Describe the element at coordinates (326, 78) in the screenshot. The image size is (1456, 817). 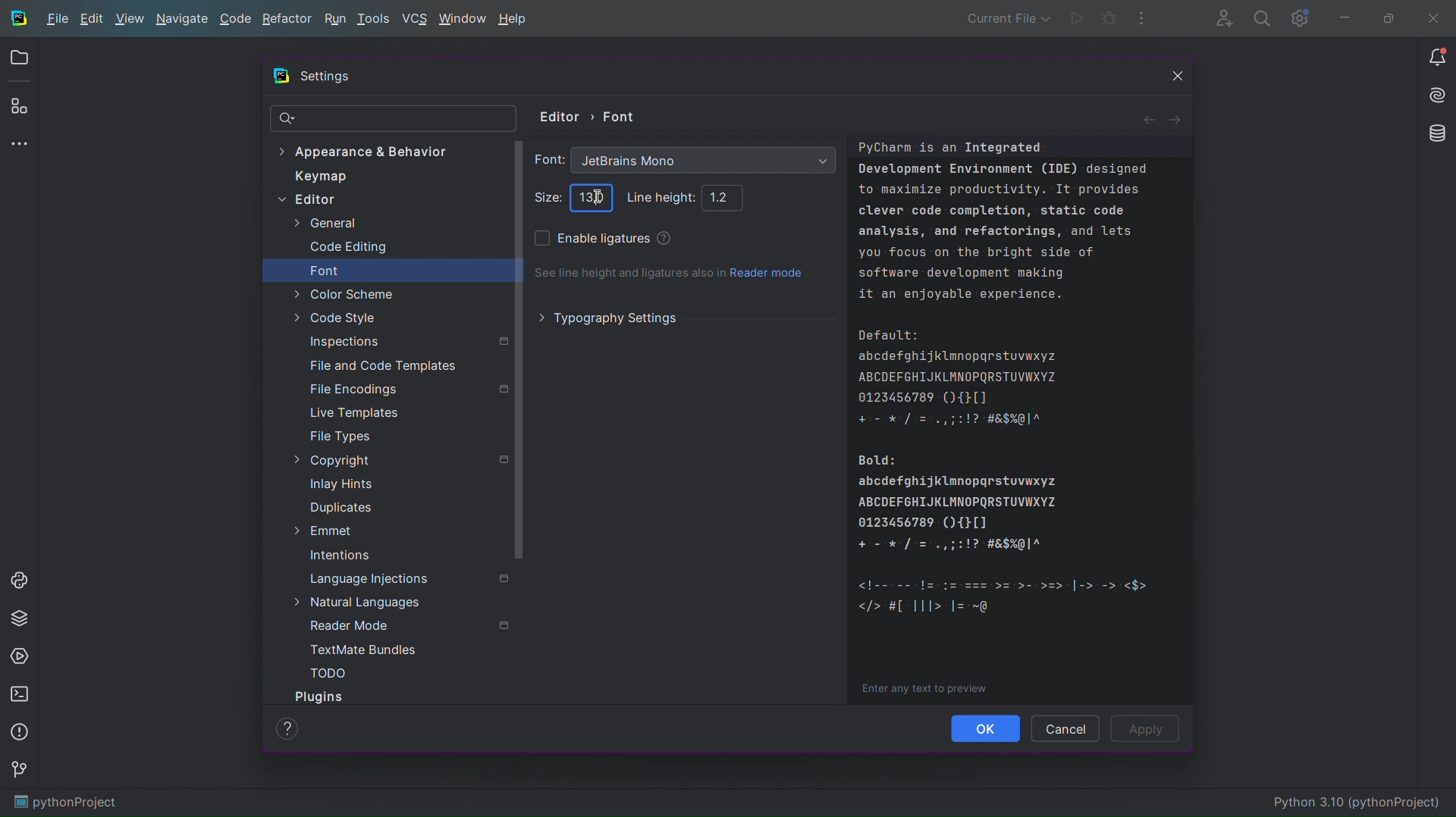
I see `Settings` at that location.